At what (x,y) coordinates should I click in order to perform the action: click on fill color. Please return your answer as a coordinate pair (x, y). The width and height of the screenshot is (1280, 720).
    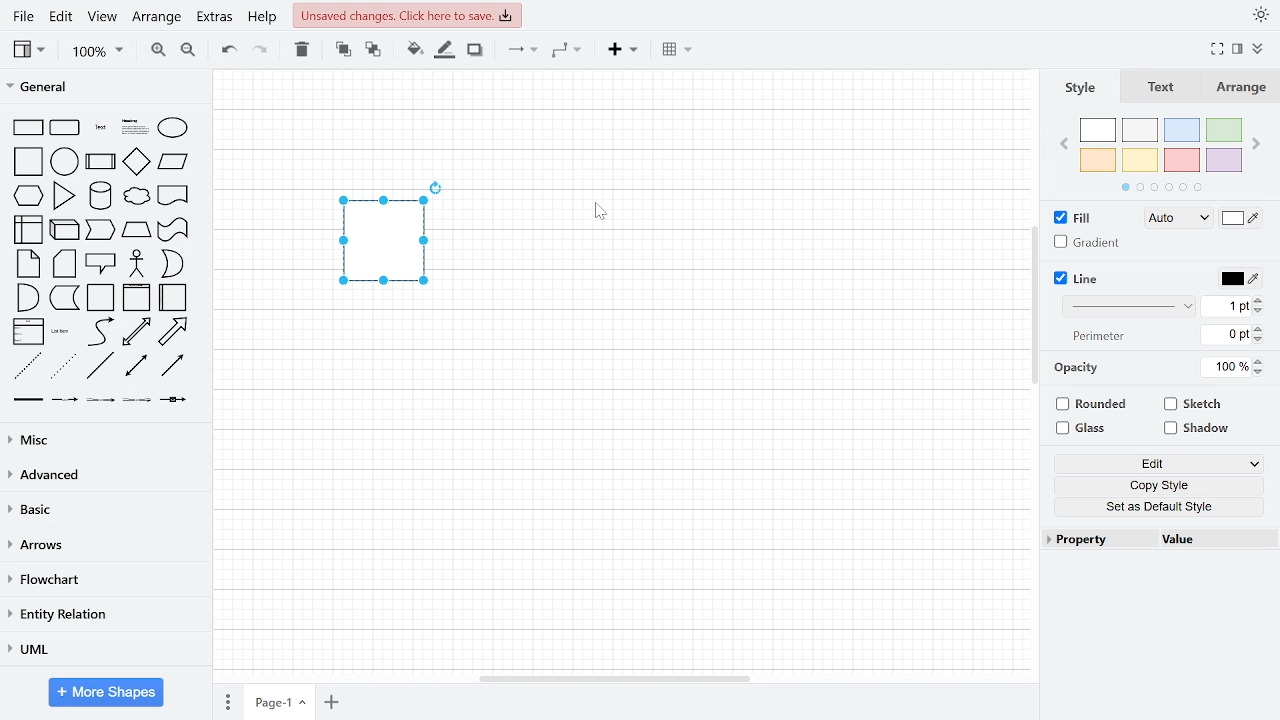
    Looking at the image, I should click on (412, 48).